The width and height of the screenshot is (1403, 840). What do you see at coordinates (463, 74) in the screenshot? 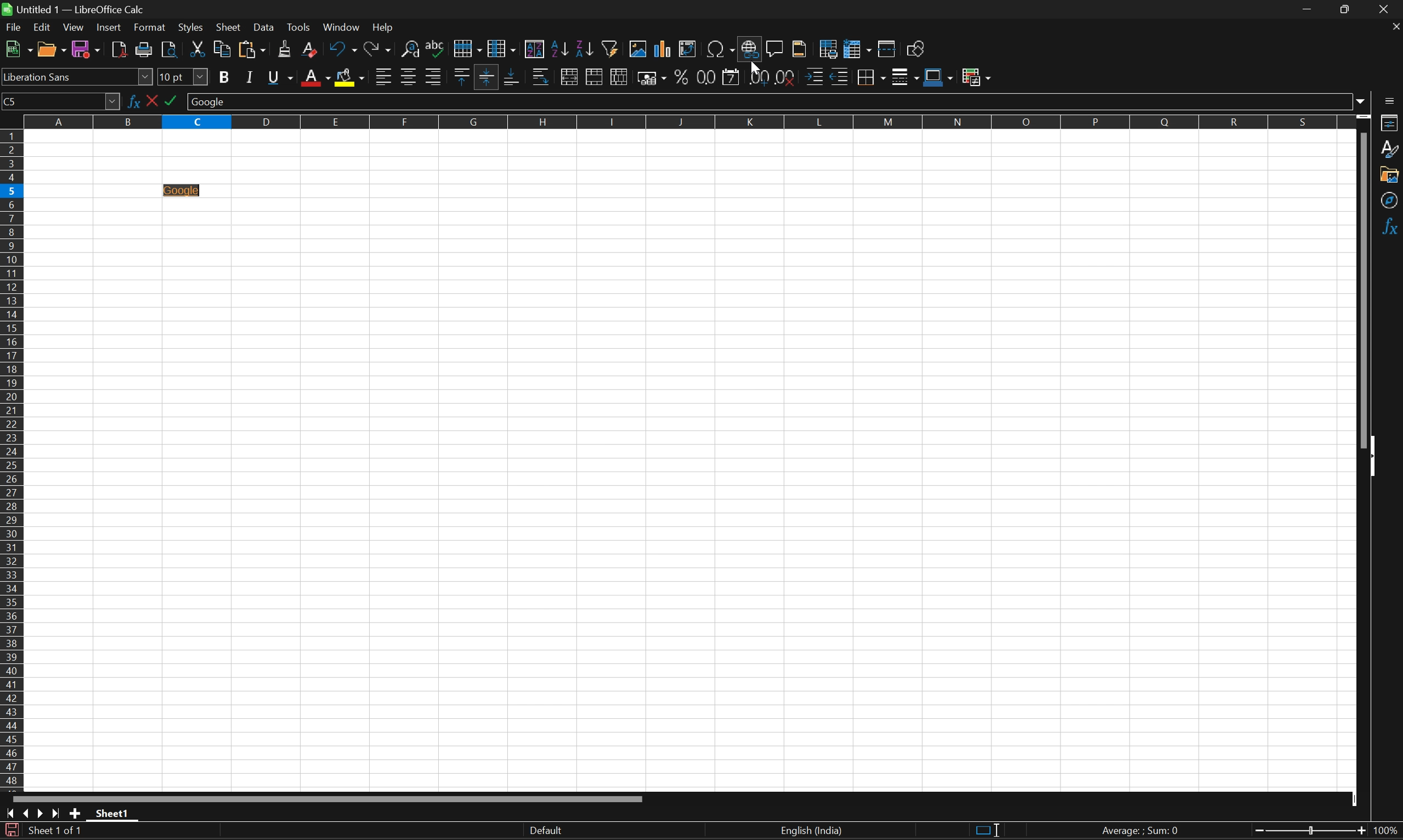
I see `Align top` at bounding box center [463, 74].